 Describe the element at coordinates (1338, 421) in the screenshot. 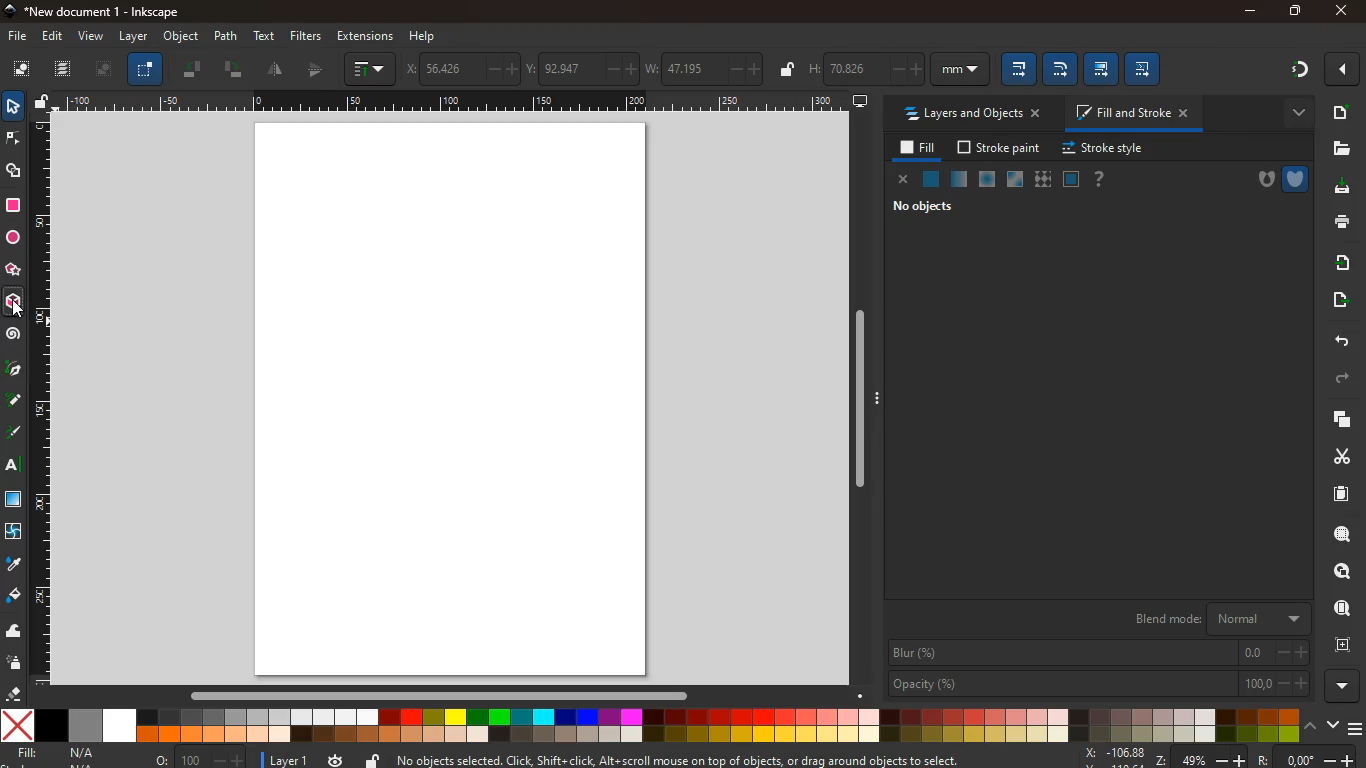

I see `layers` at that location.